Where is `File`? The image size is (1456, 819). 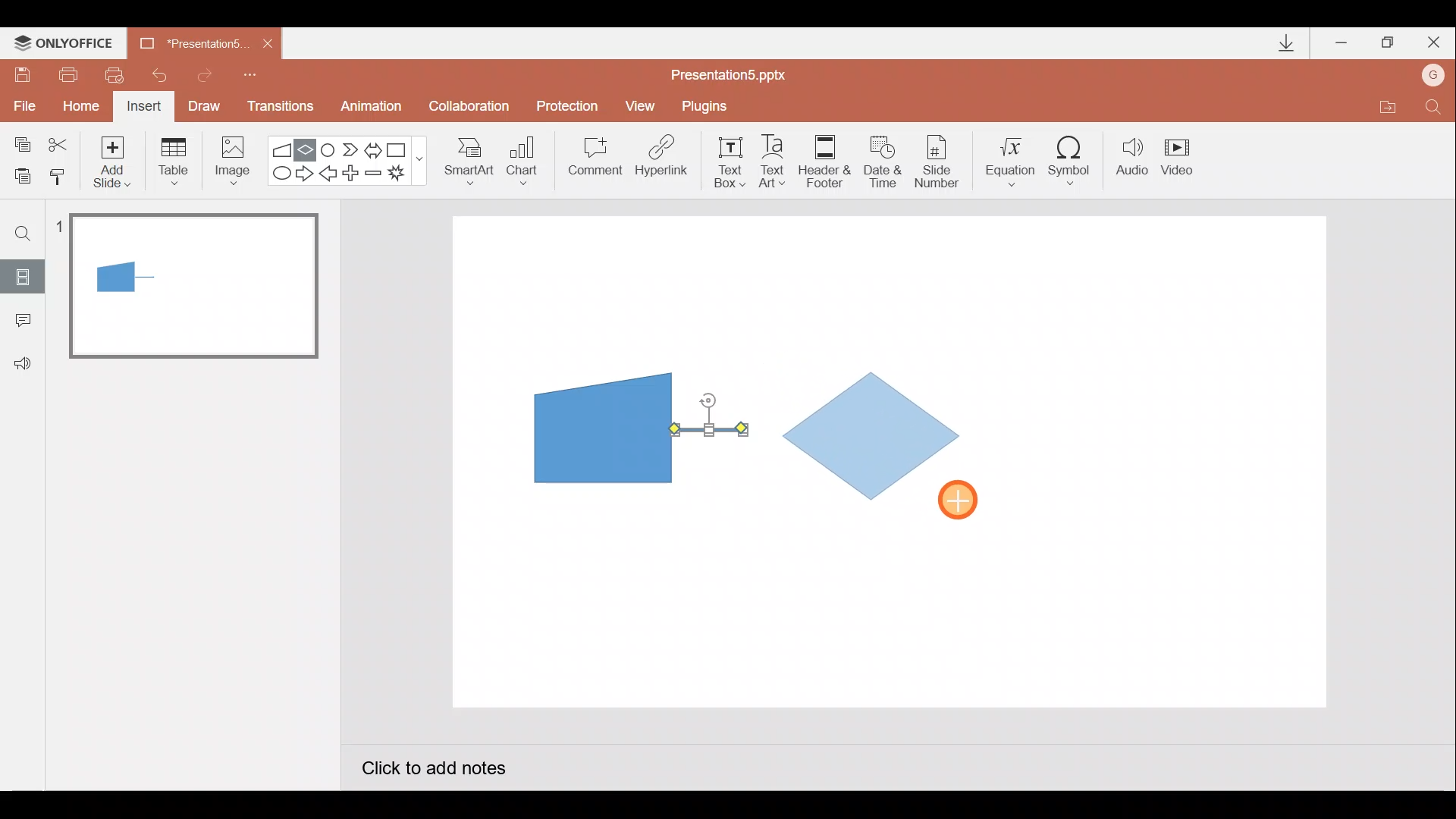 File is located at coordinates (21, 102).